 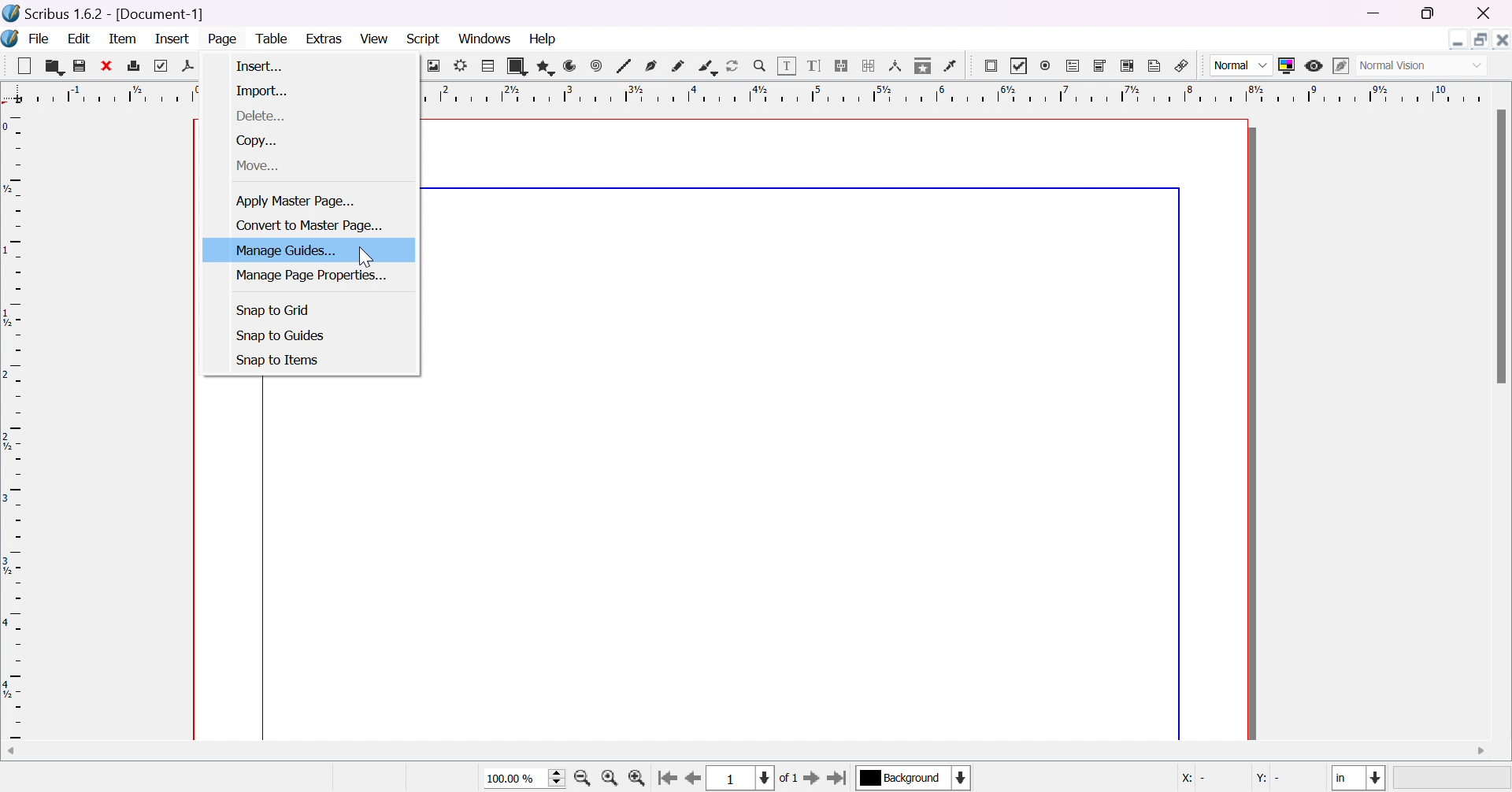 I want to click on eye dropper, so click(x=953, y=68).